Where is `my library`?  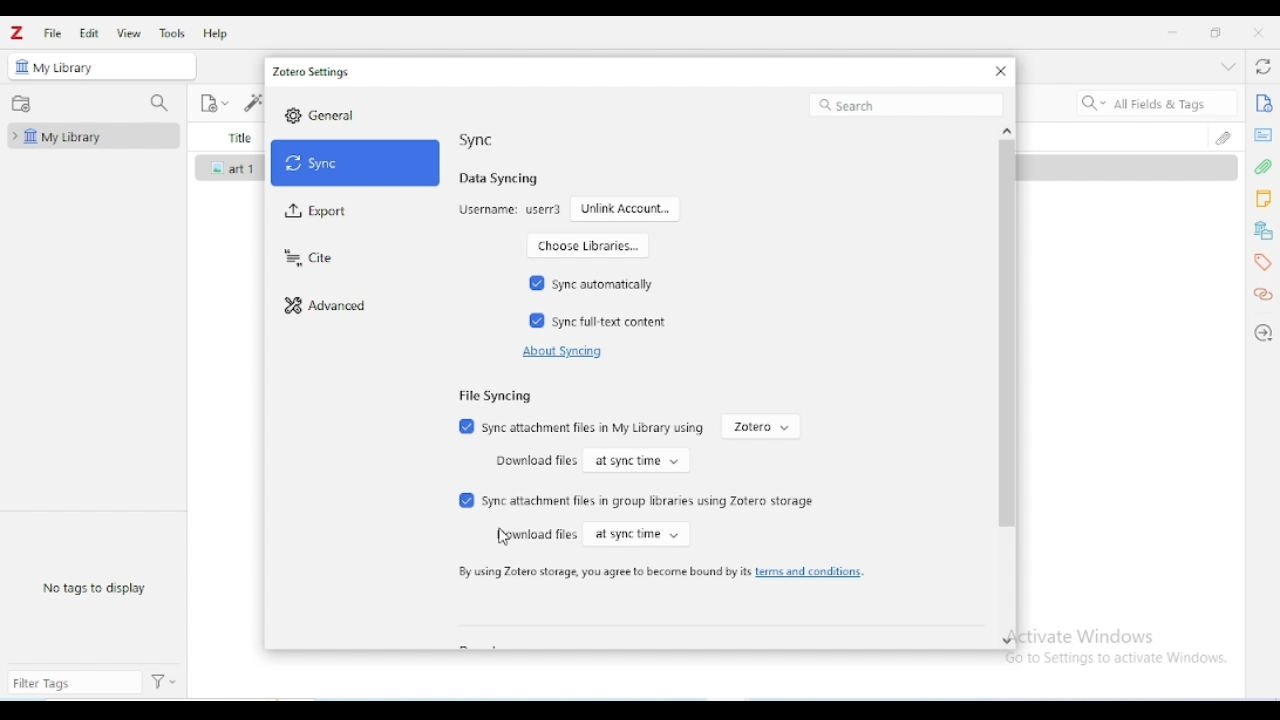
my library is located at coordinates (66, 68).